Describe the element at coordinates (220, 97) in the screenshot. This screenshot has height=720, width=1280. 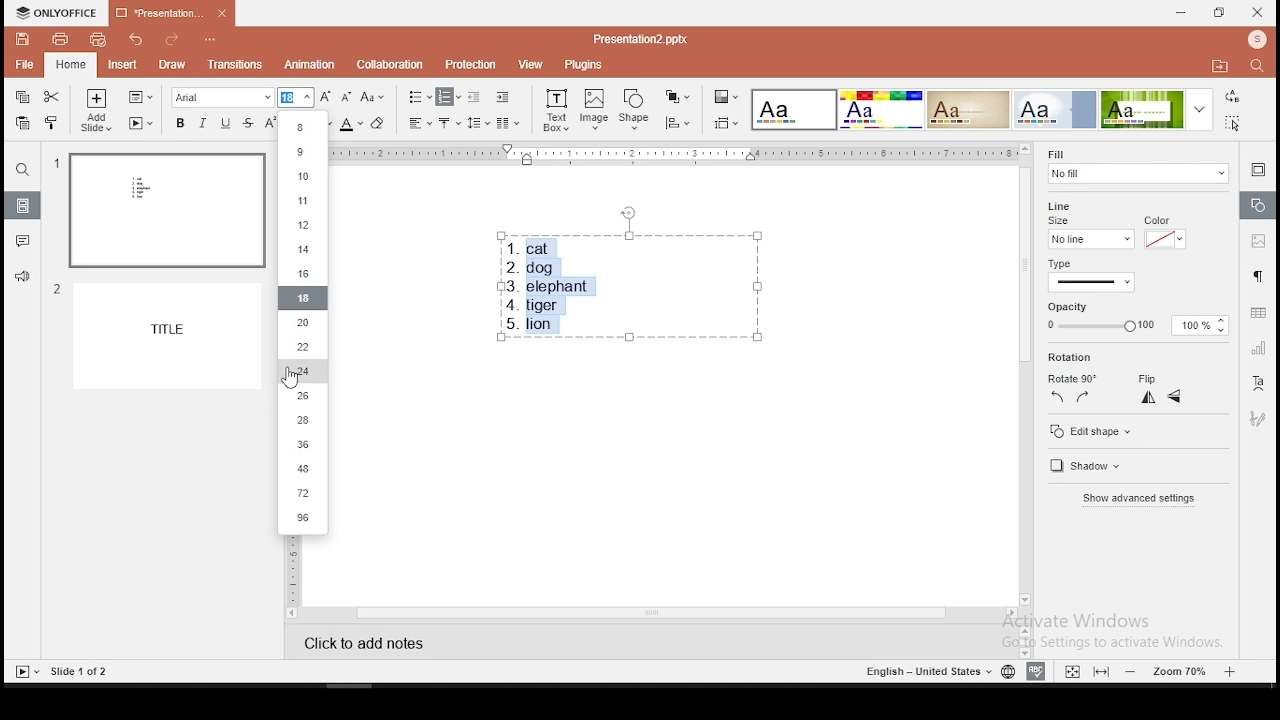
I see `font` at that location.